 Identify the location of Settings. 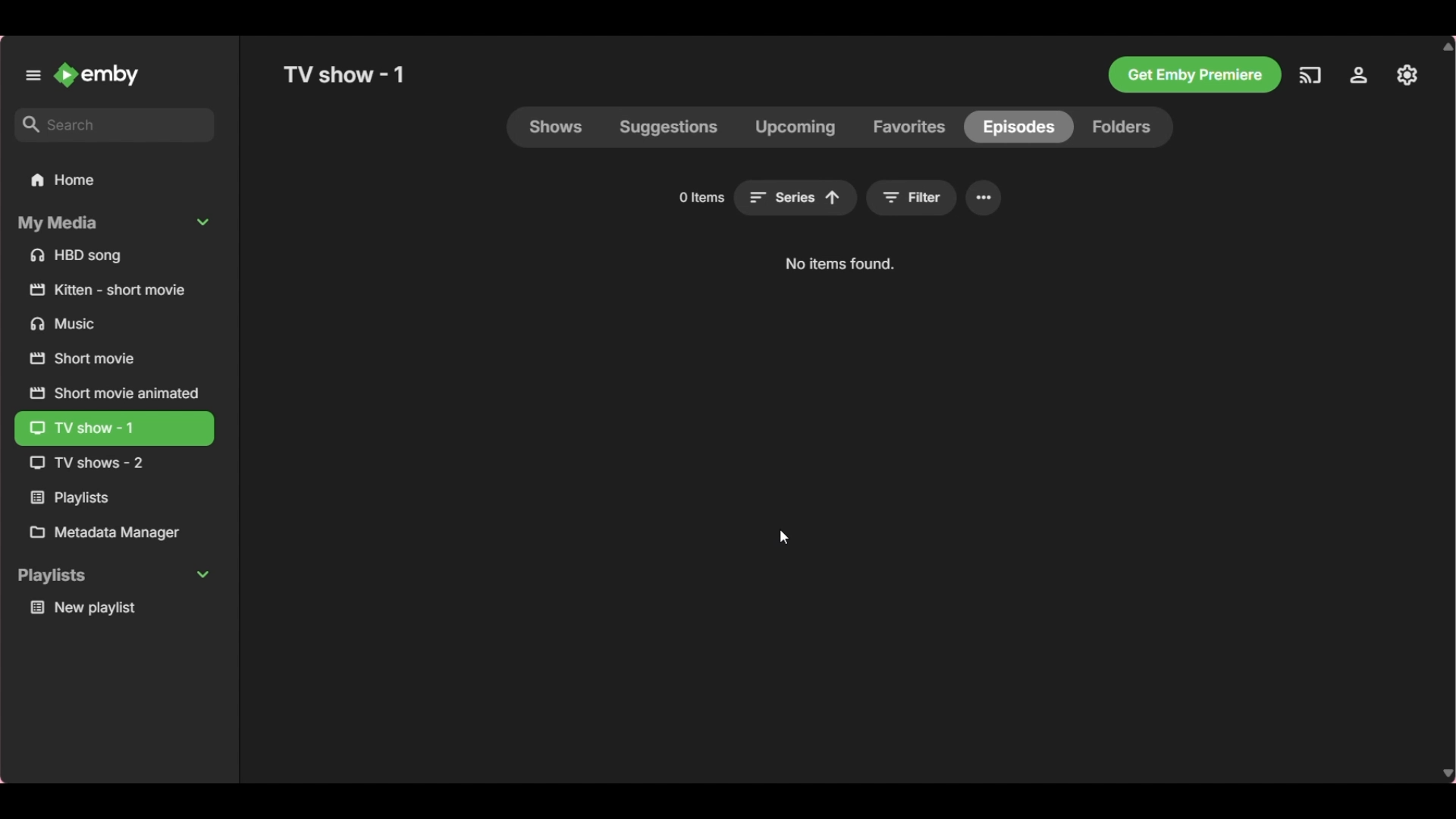
(1359, 75).